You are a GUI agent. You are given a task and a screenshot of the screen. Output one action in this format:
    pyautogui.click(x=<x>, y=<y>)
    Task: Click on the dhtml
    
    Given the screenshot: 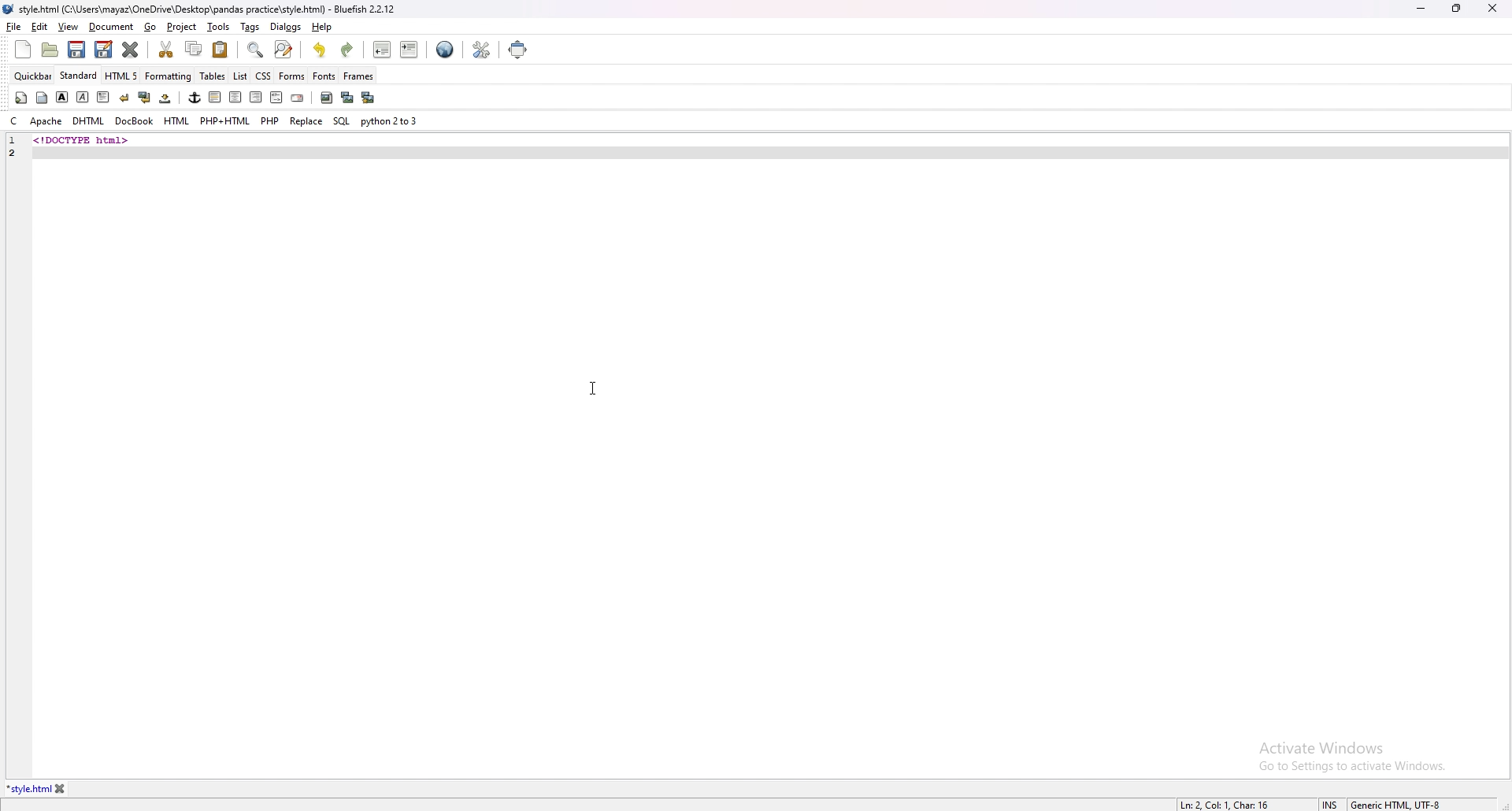 What is the action you would take?
    pyautogui.click(x=88, y=122)
    